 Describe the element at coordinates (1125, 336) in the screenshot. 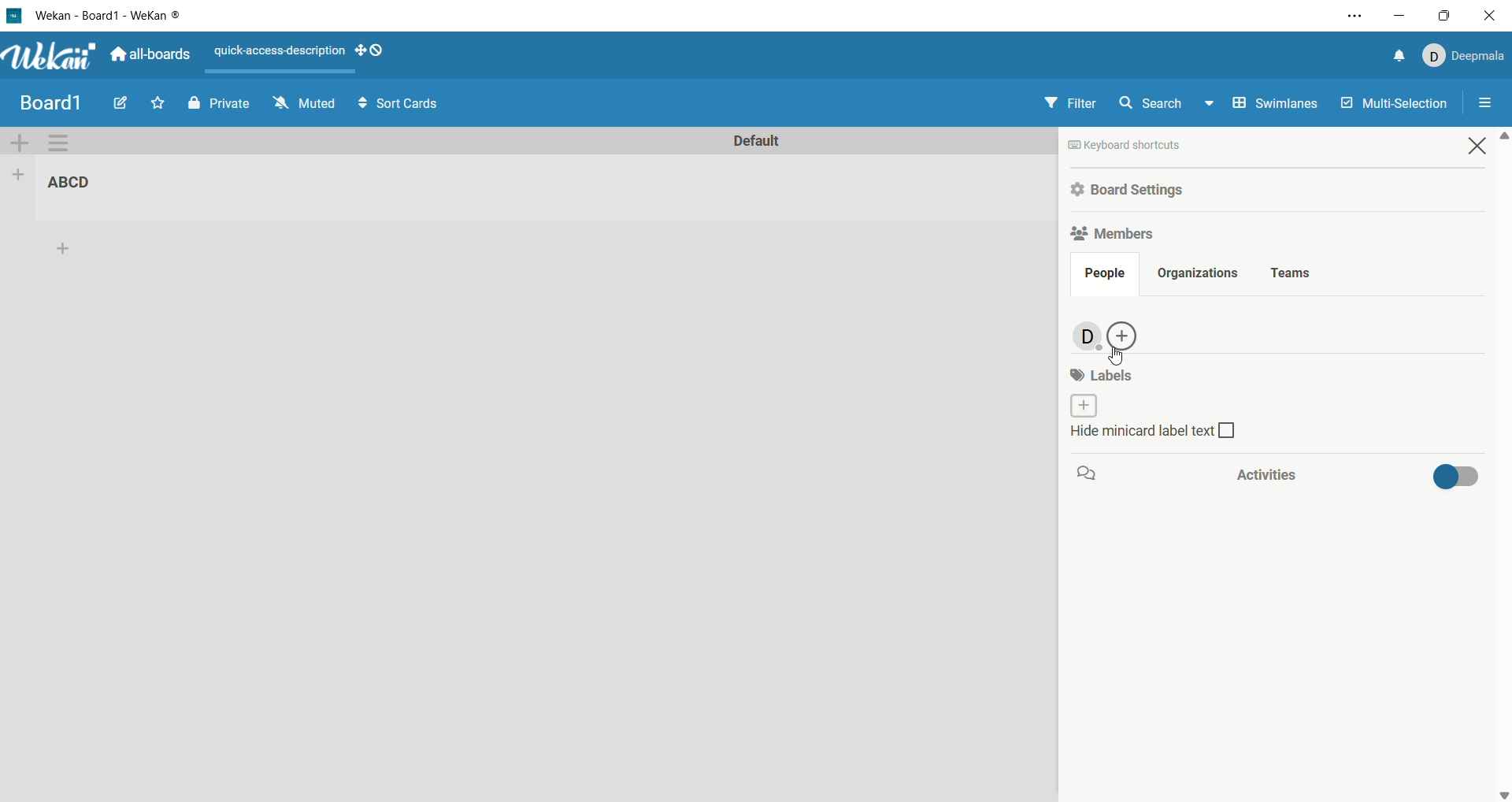

I see `add people` at that location.